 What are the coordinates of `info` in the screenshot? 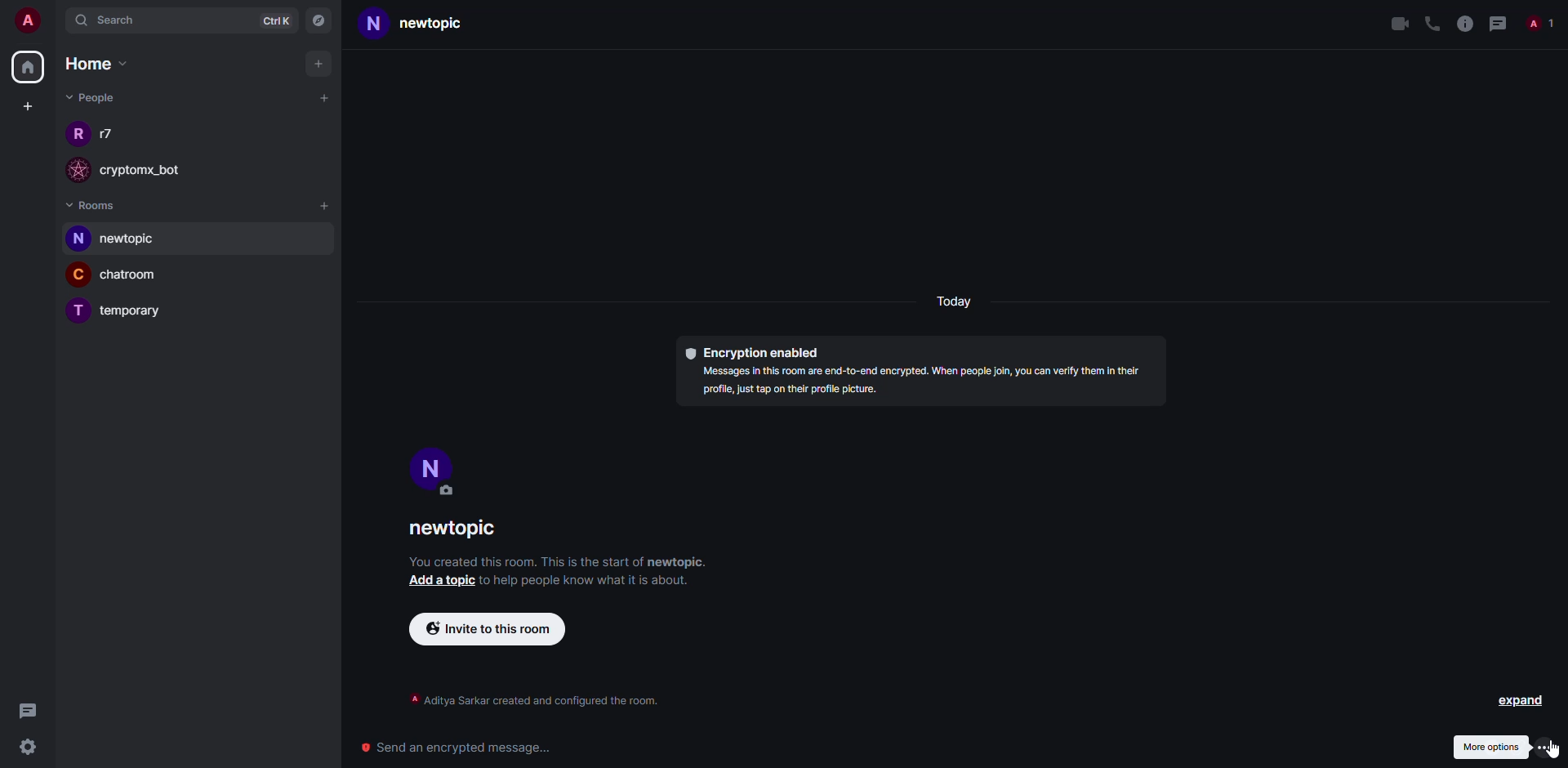 It's located at (1464, 23).